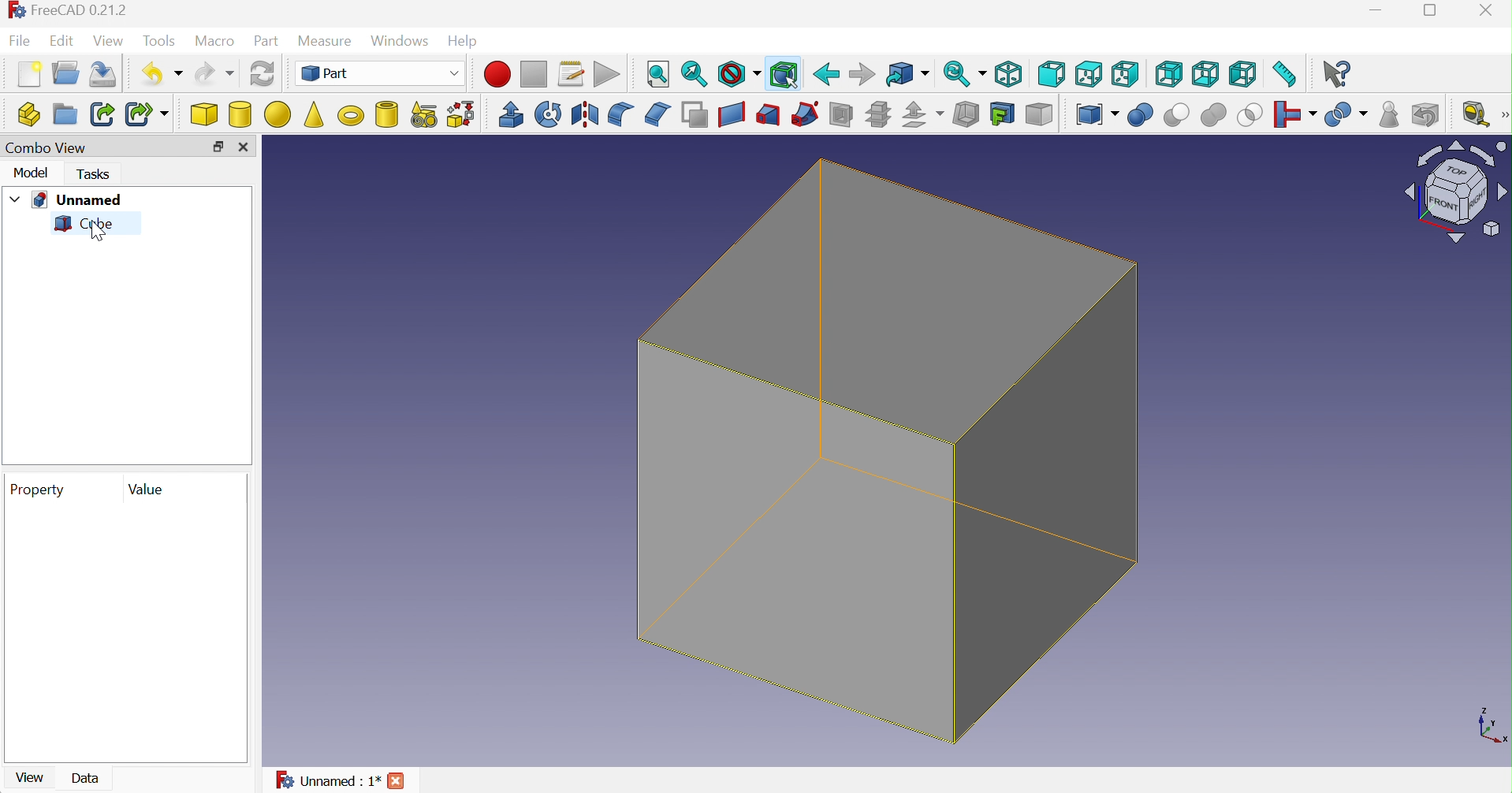 Image resolution: width=1512 pixels, height=793 pixels. Describe the element at coordinates (1391, 117) in the screenshot. I see `Geometry` at that location.